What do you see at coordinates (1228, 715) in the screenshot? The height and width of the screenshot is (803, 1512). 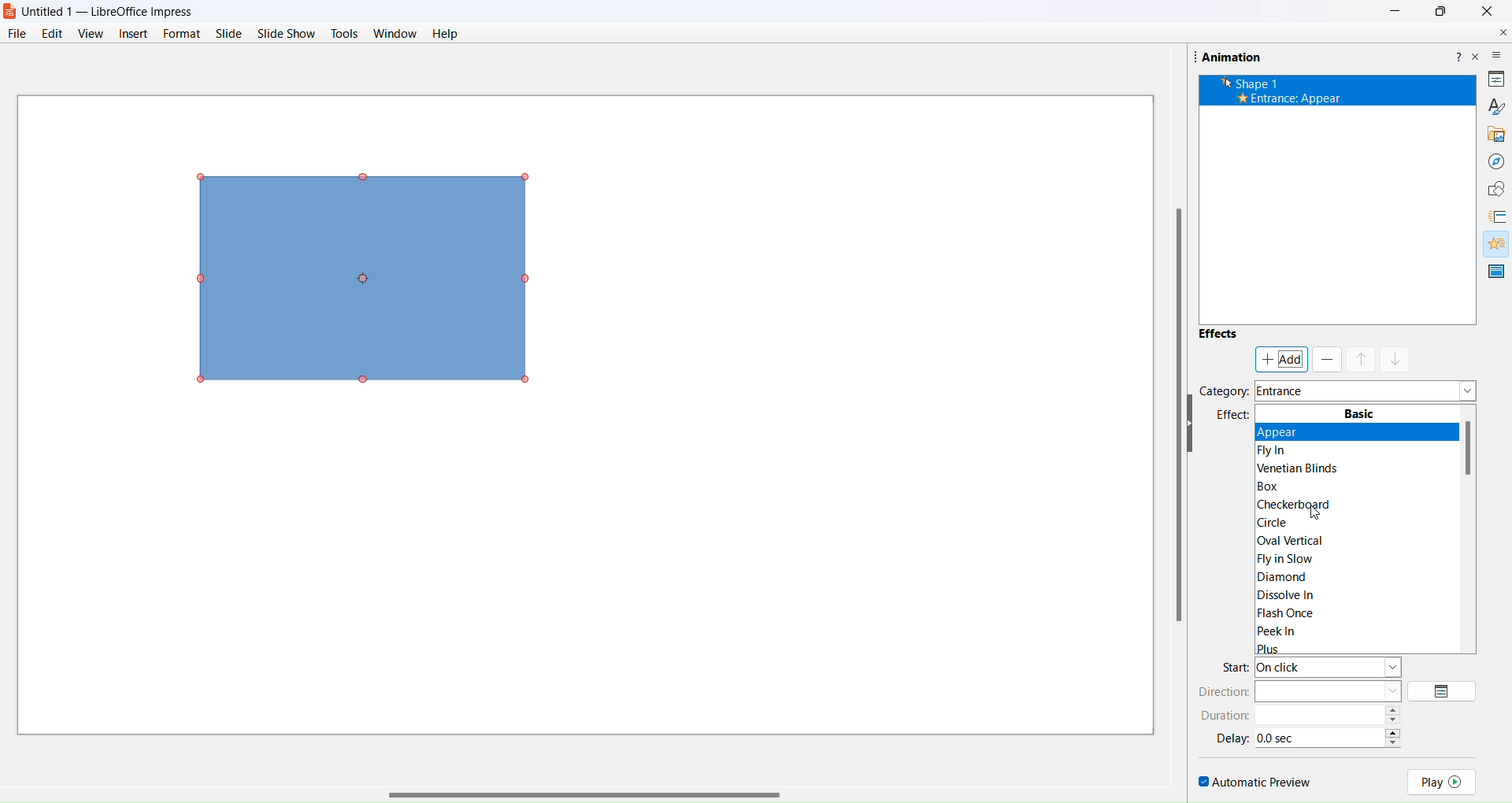 I see `duration` at bounding box center [1228, 715].